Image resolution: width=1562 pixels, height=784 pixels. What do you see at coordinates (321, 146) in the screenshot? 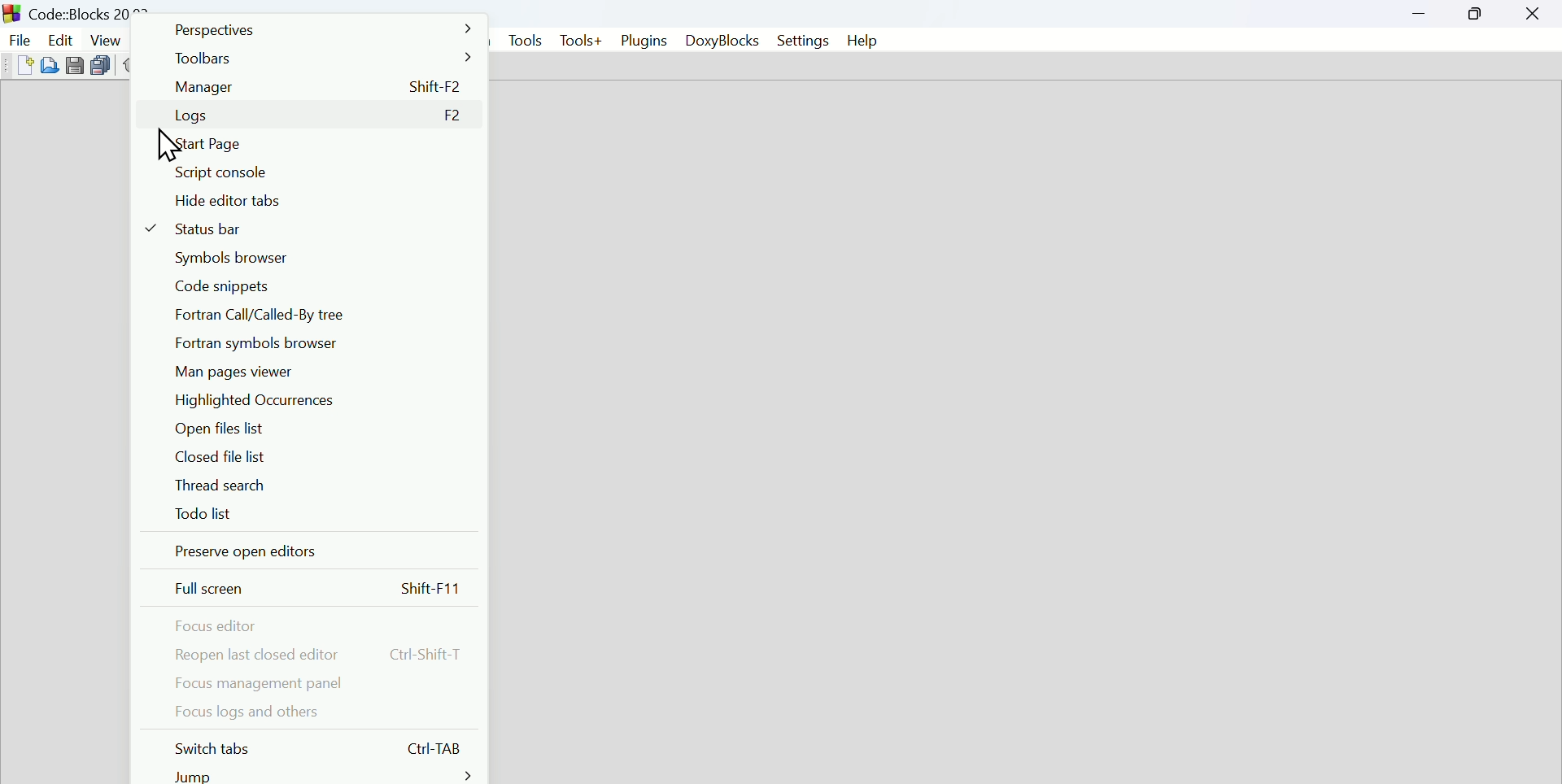
I see `Start page` at bounding box center [321, 146].